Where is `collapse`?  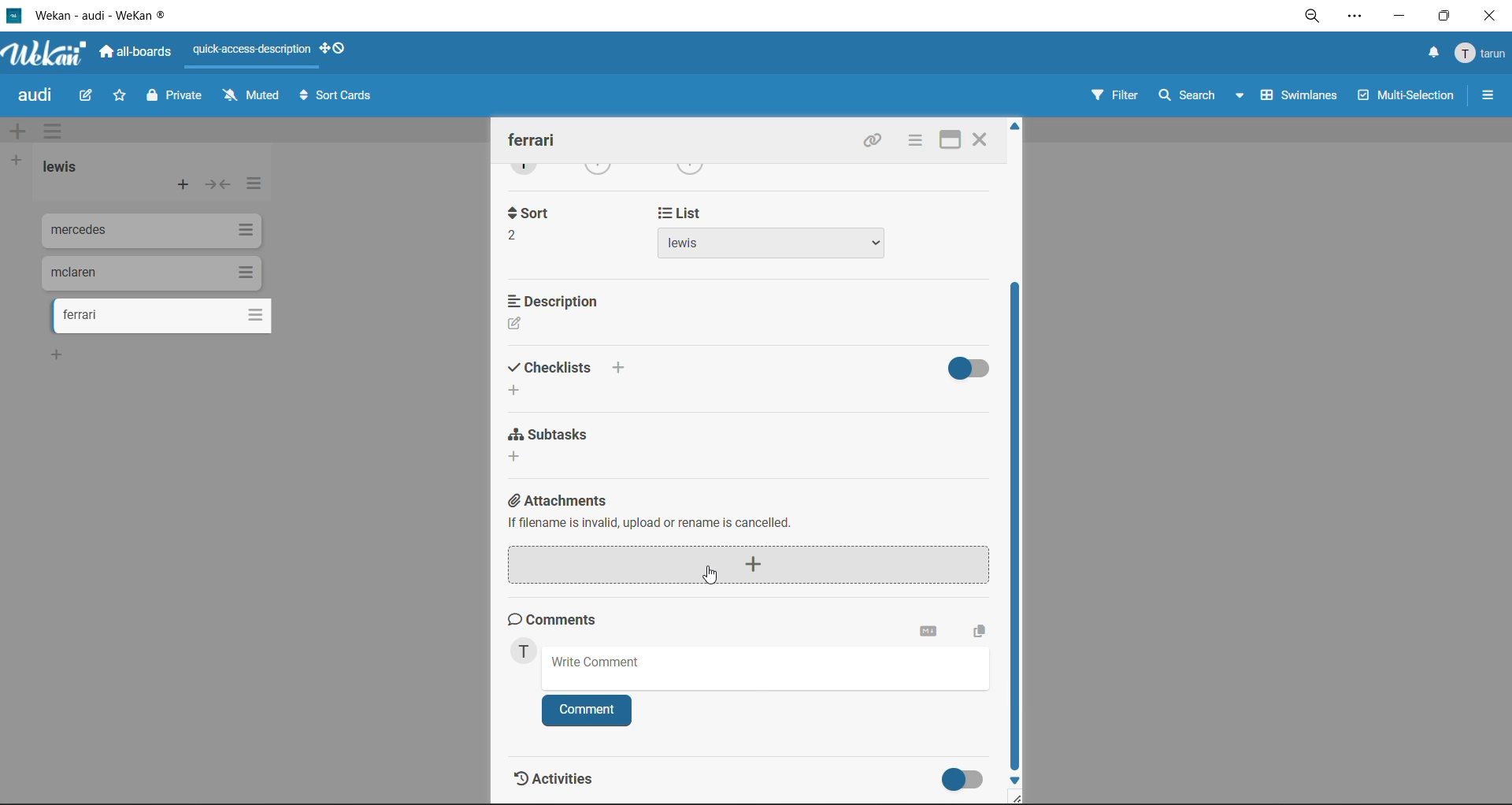 collapse is located at coordinates (217, 187).